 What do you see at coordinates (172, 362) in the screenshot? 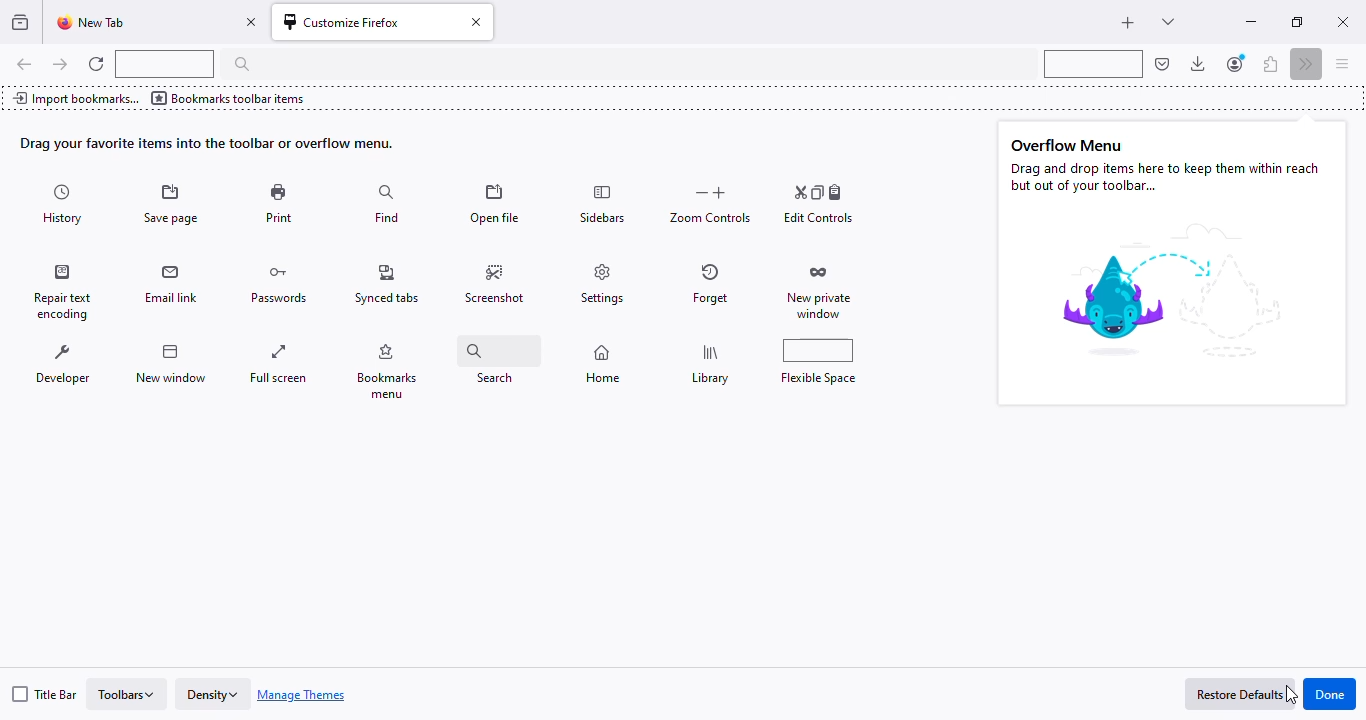
I see `new window` at bounding box center [172, 362].